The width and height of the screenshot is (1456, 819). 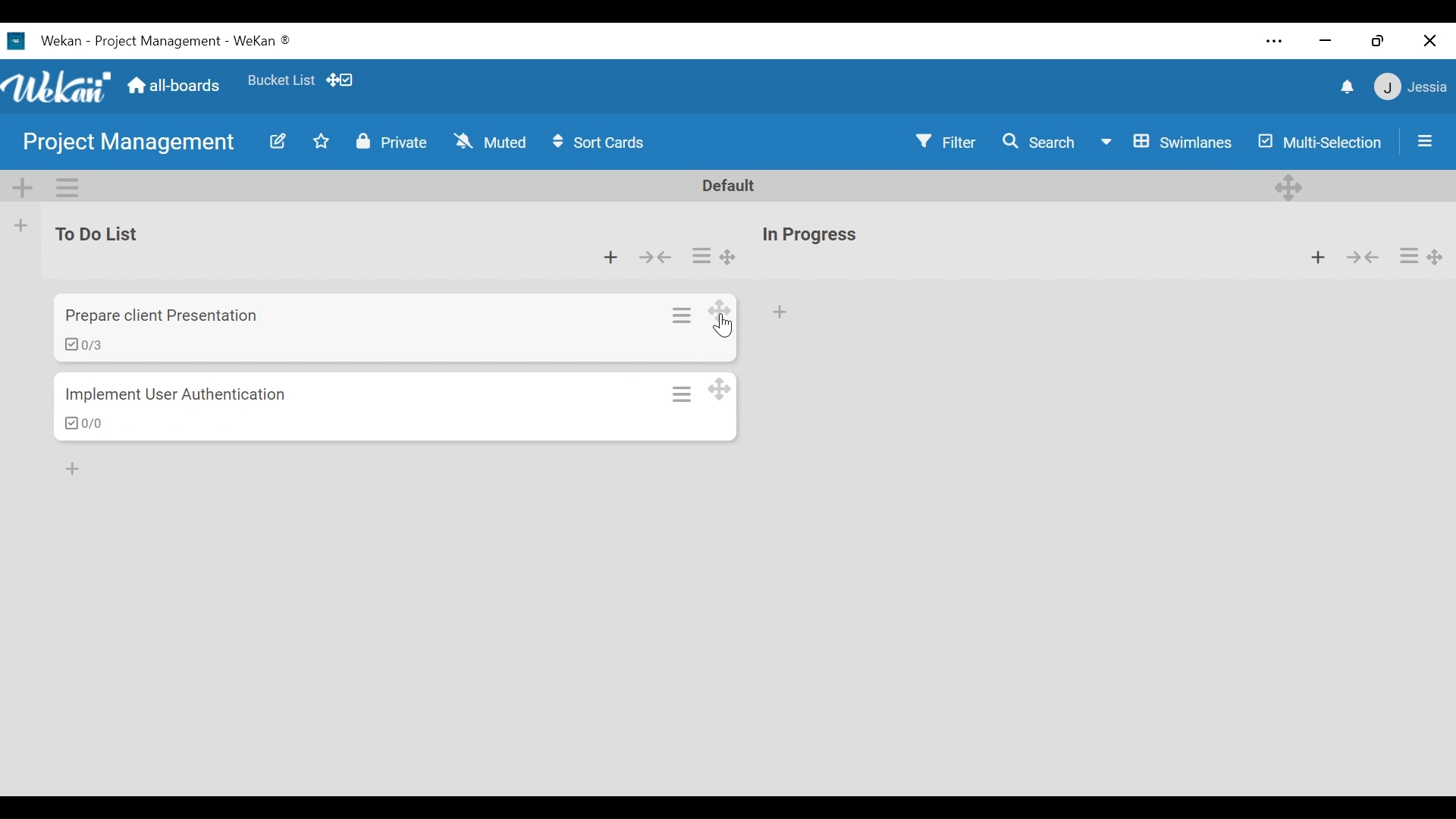 What do you see at coordinates (1345, 86) in the screenshot?
I see `notifications` at bounding box center [1345, 86].